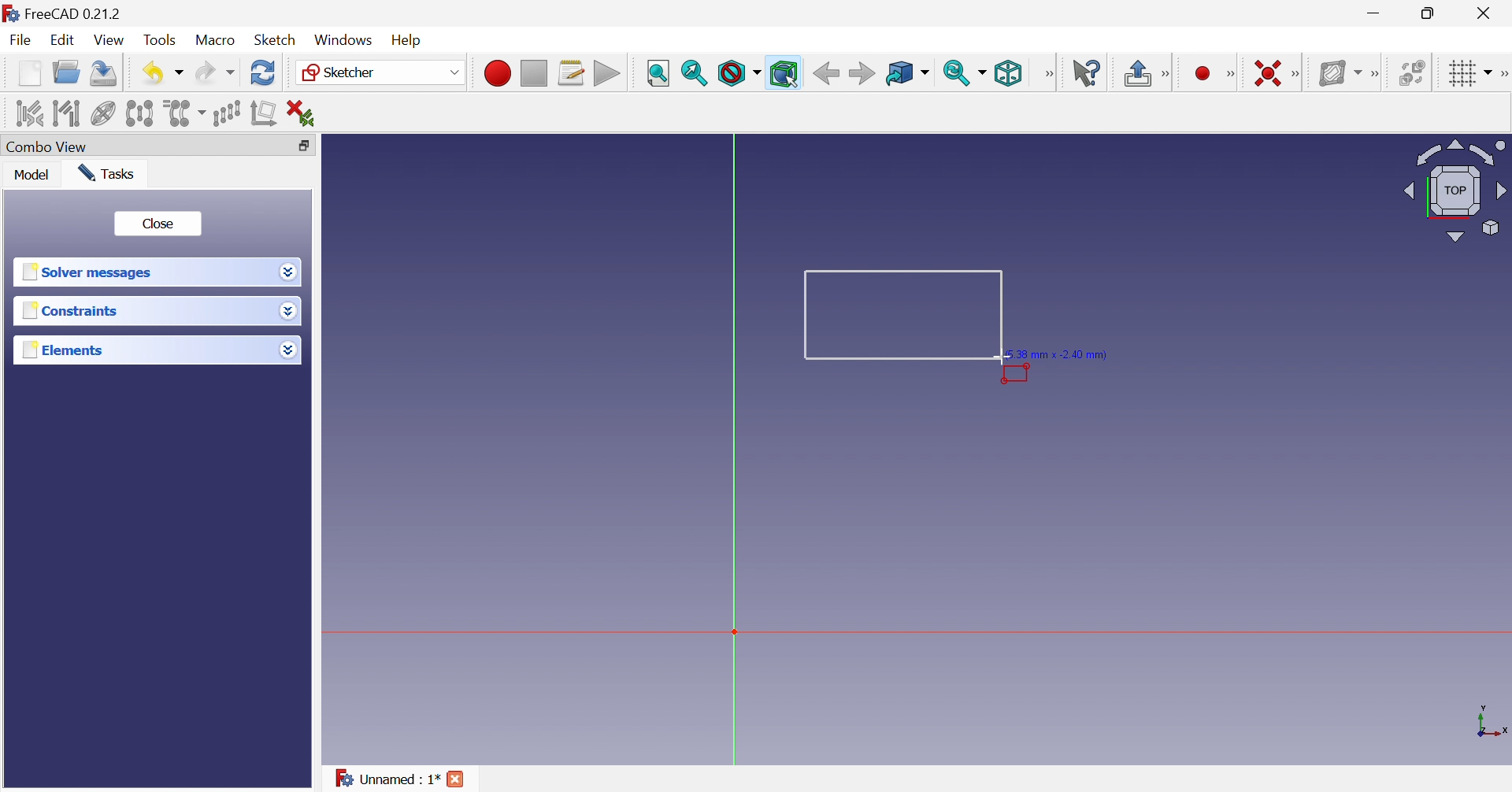 The height and width of the screenshot is (792, 1512). Describe the element at coordinates (1267, 72) in the screenshot. I see `Constrain coincident` at that location.